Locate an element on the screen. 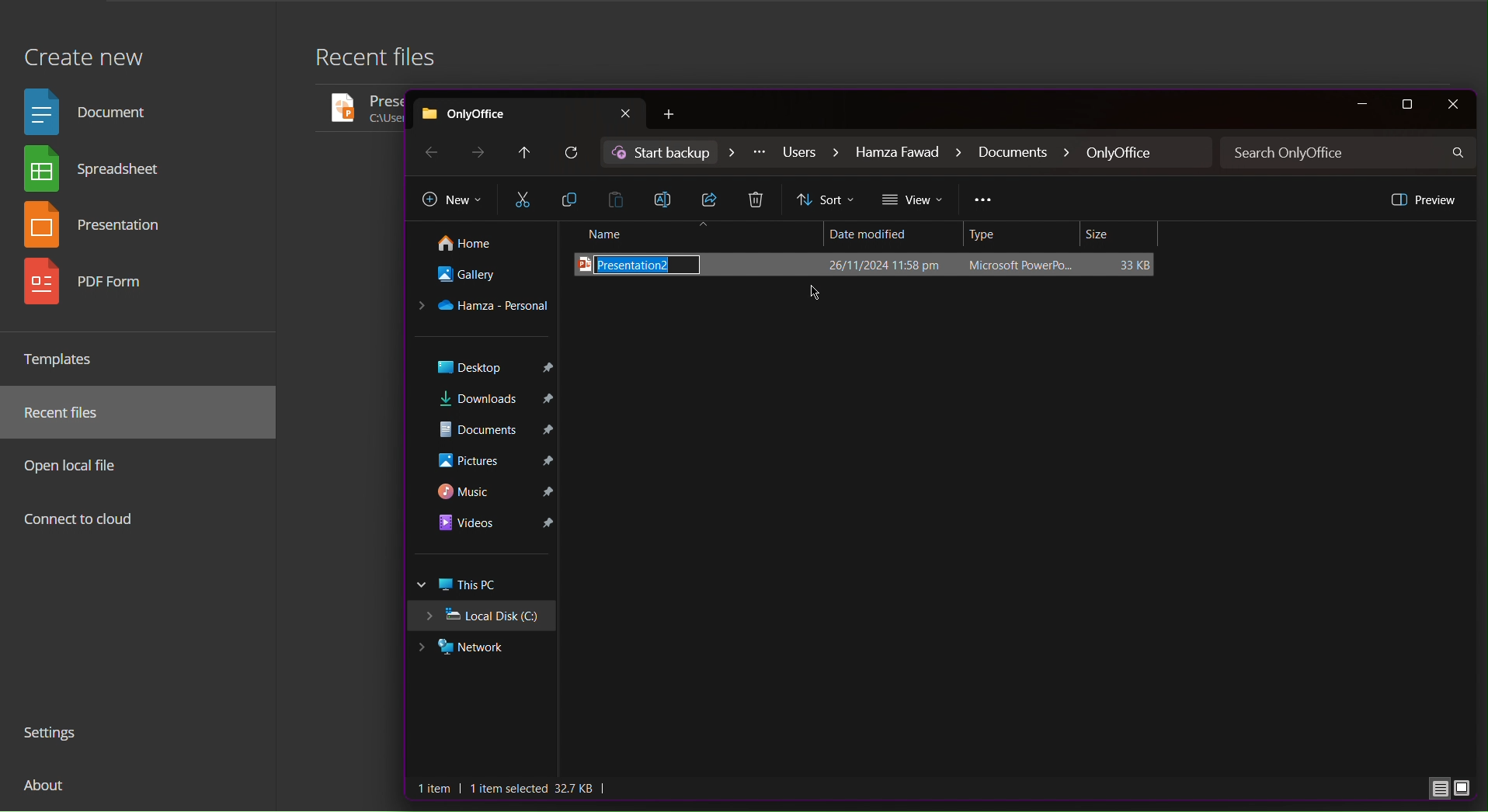 The height and width of the screenshot is (812, 1488). Recent Files is located at coordinates (71, 413).